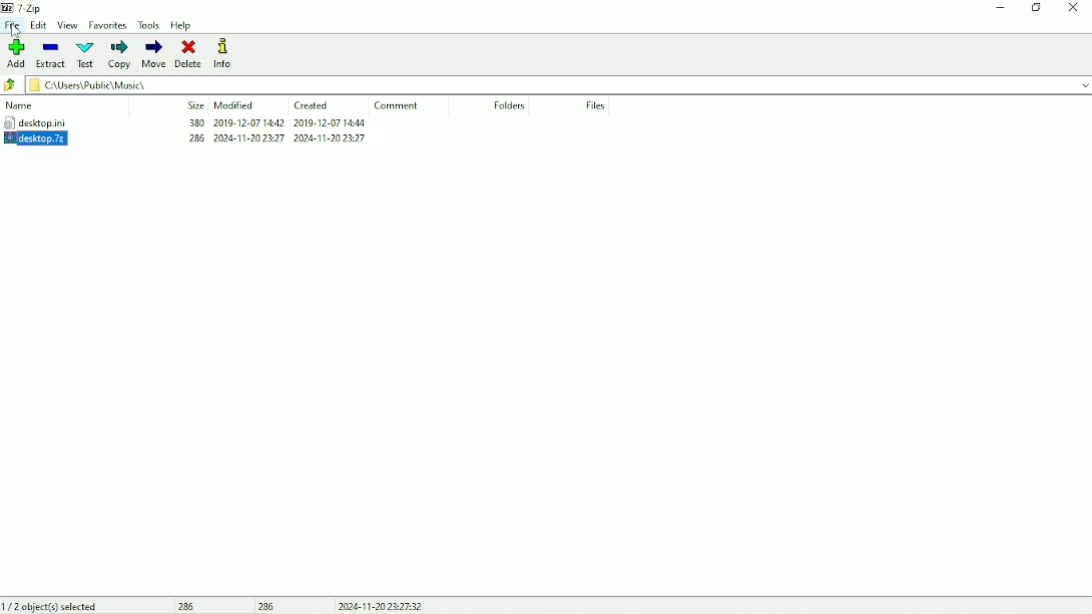 The height and width of the screenshot is (614, 1092). Describe the element at coordinates (234, 105) in the screenshot. I see `Modified` at that location.